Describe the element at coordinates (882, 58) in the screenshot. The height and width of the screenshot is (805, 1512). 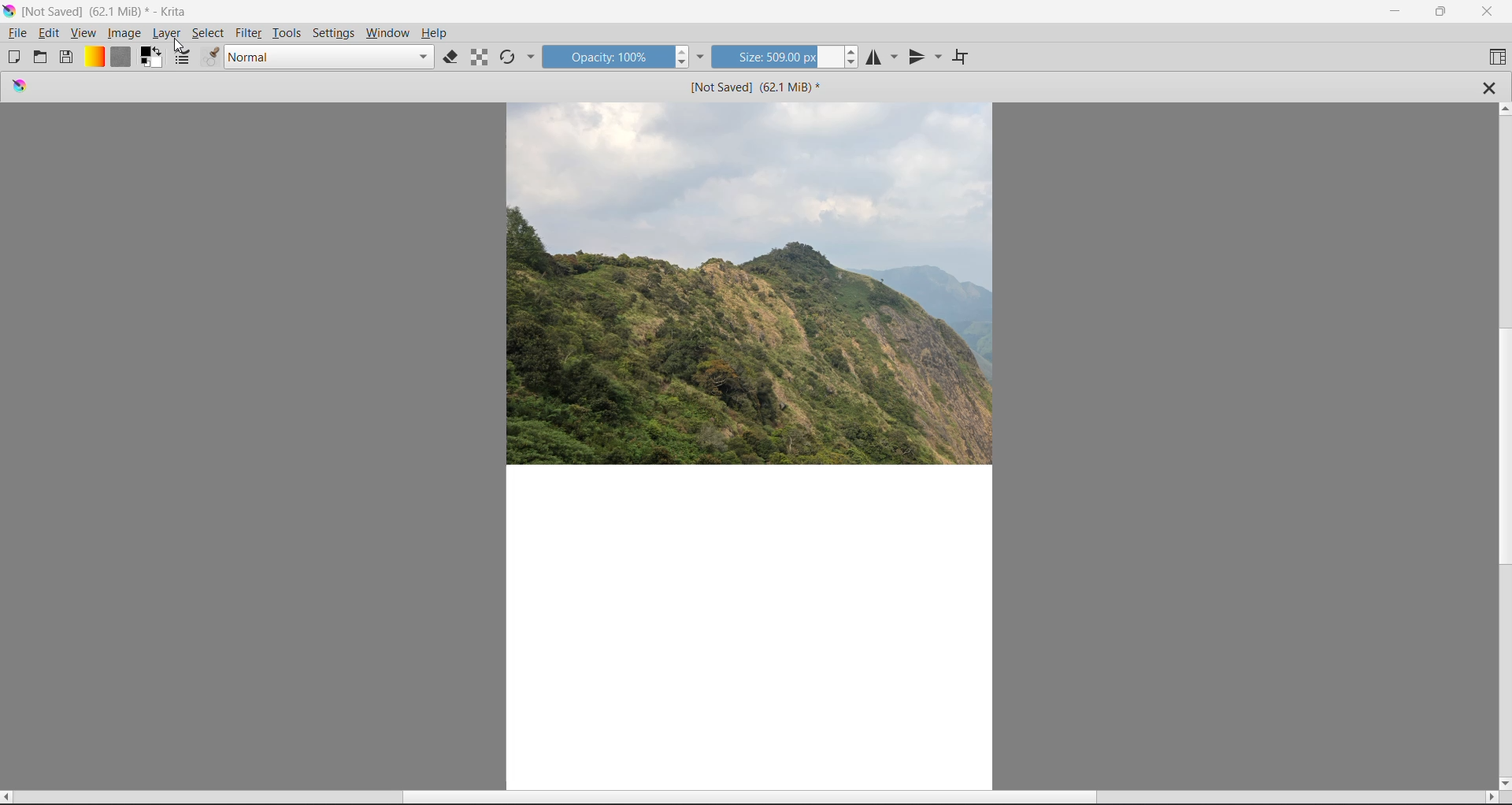
I see `Horizontal Mirror Tool` at that location.